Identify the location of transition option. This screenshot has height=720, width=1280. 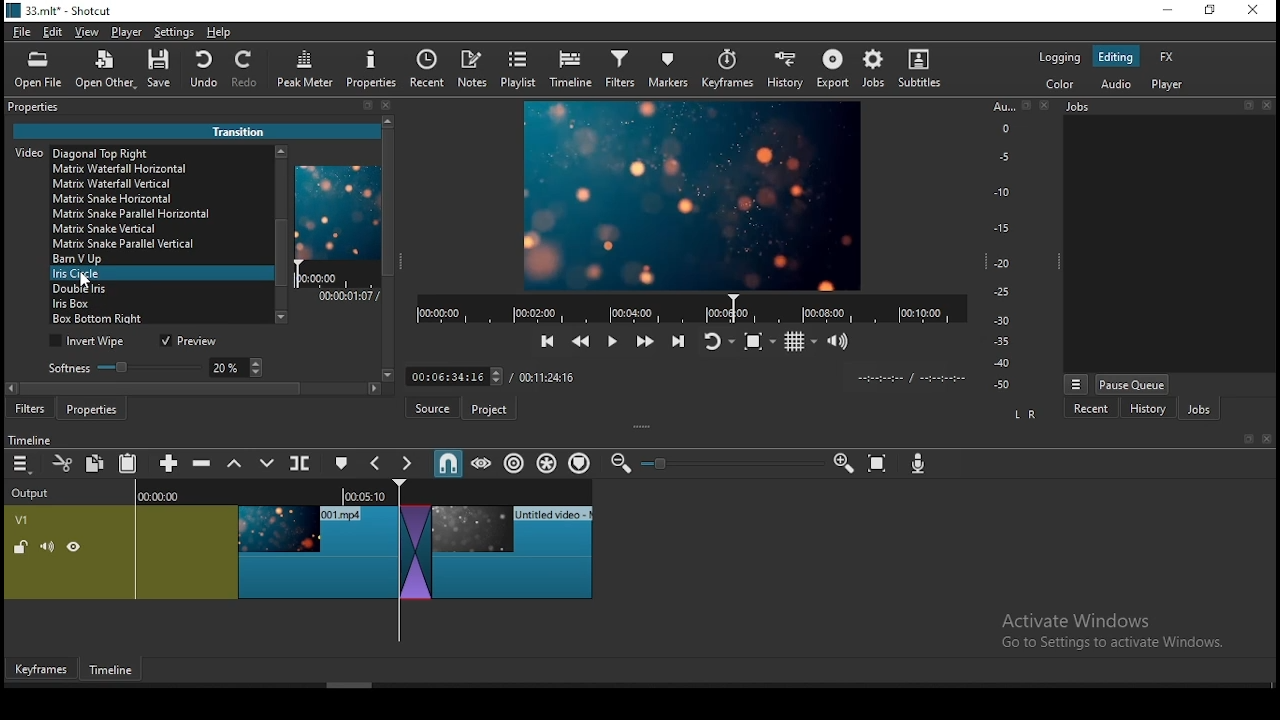
(160, 319).